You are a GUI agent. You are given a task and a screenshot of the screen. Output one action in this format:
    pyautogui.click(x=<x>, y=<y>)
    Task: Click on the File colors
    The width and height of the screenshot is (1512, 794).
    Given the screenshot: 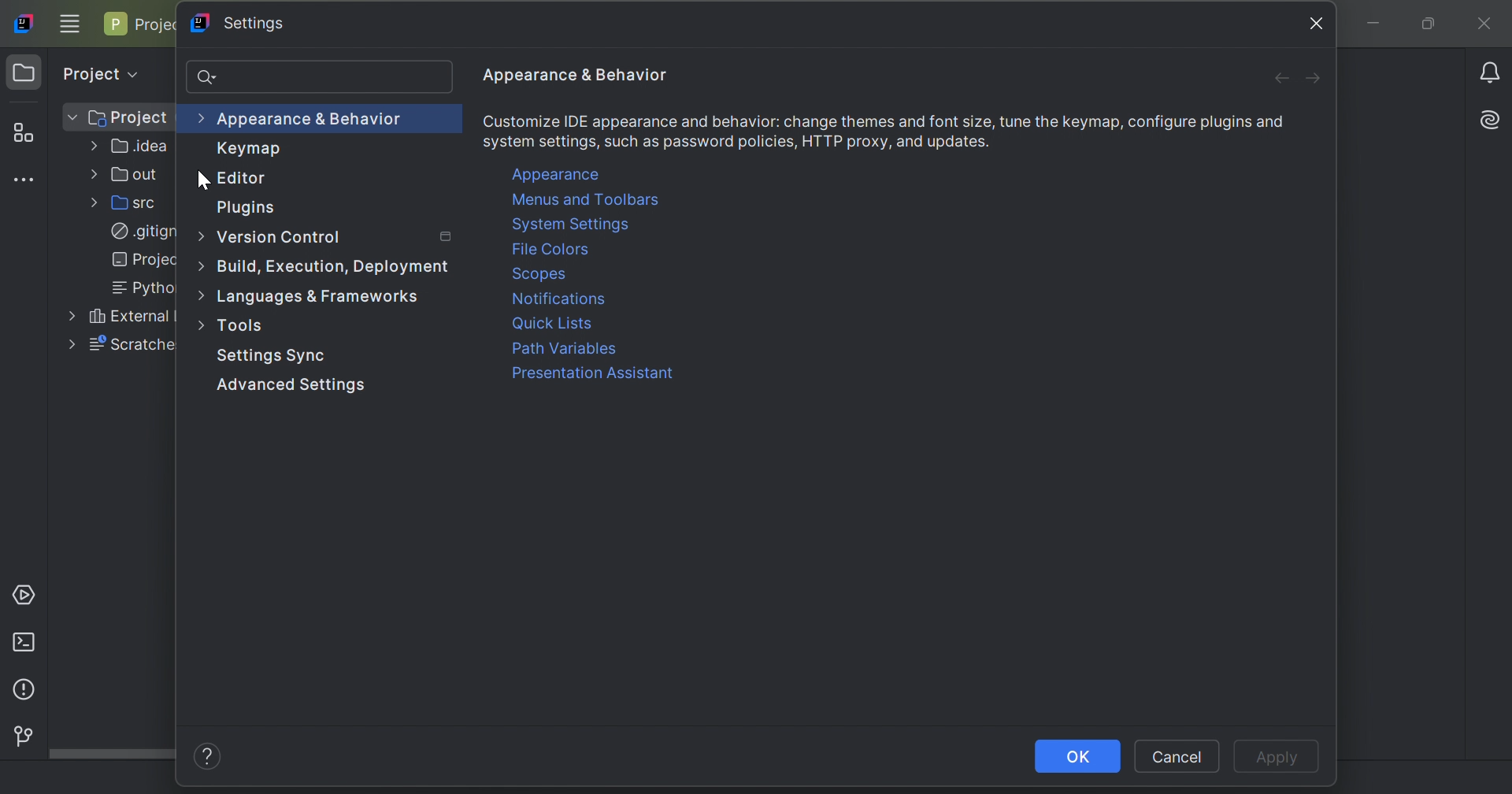 What is the action you would take?
    pyautogui.click(x=550, y=250)
    